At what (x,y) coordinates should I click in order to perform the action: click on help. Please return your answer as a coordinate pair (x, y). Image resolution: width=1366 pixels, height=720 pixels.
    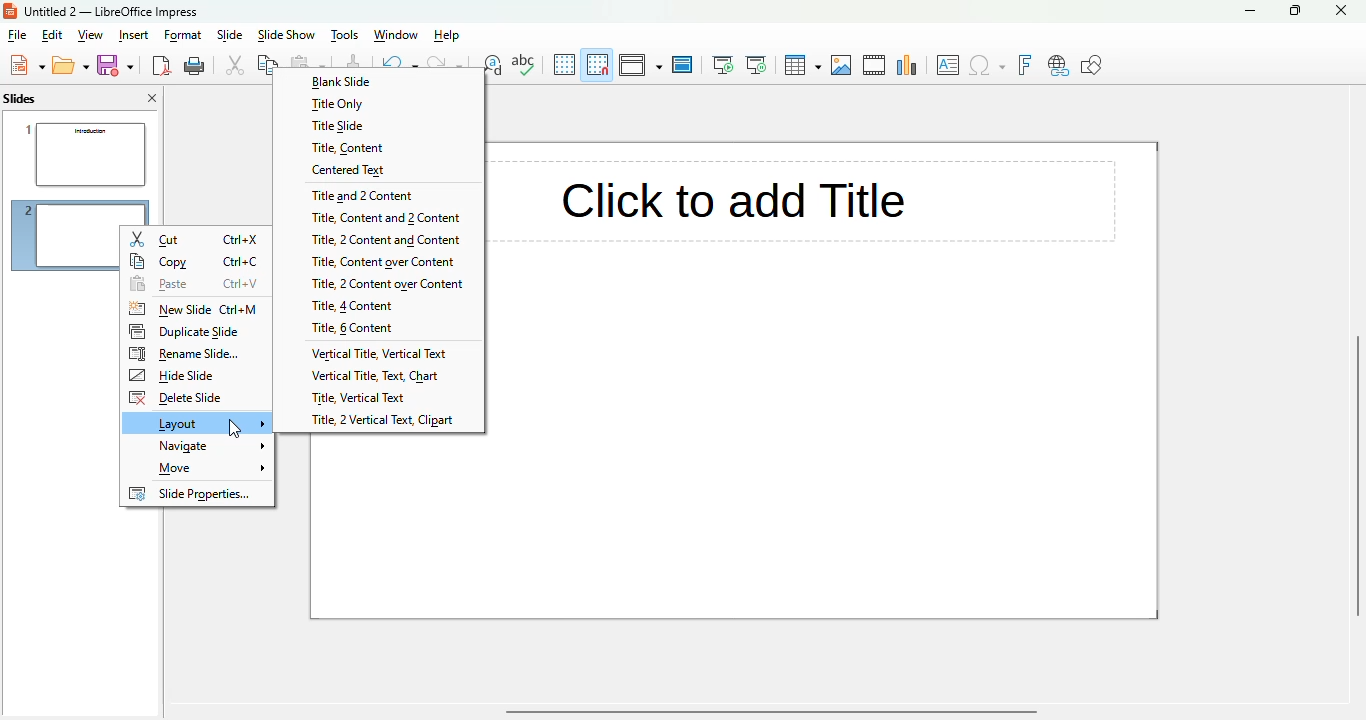
    Looking at the image, I should click on (448, 35).